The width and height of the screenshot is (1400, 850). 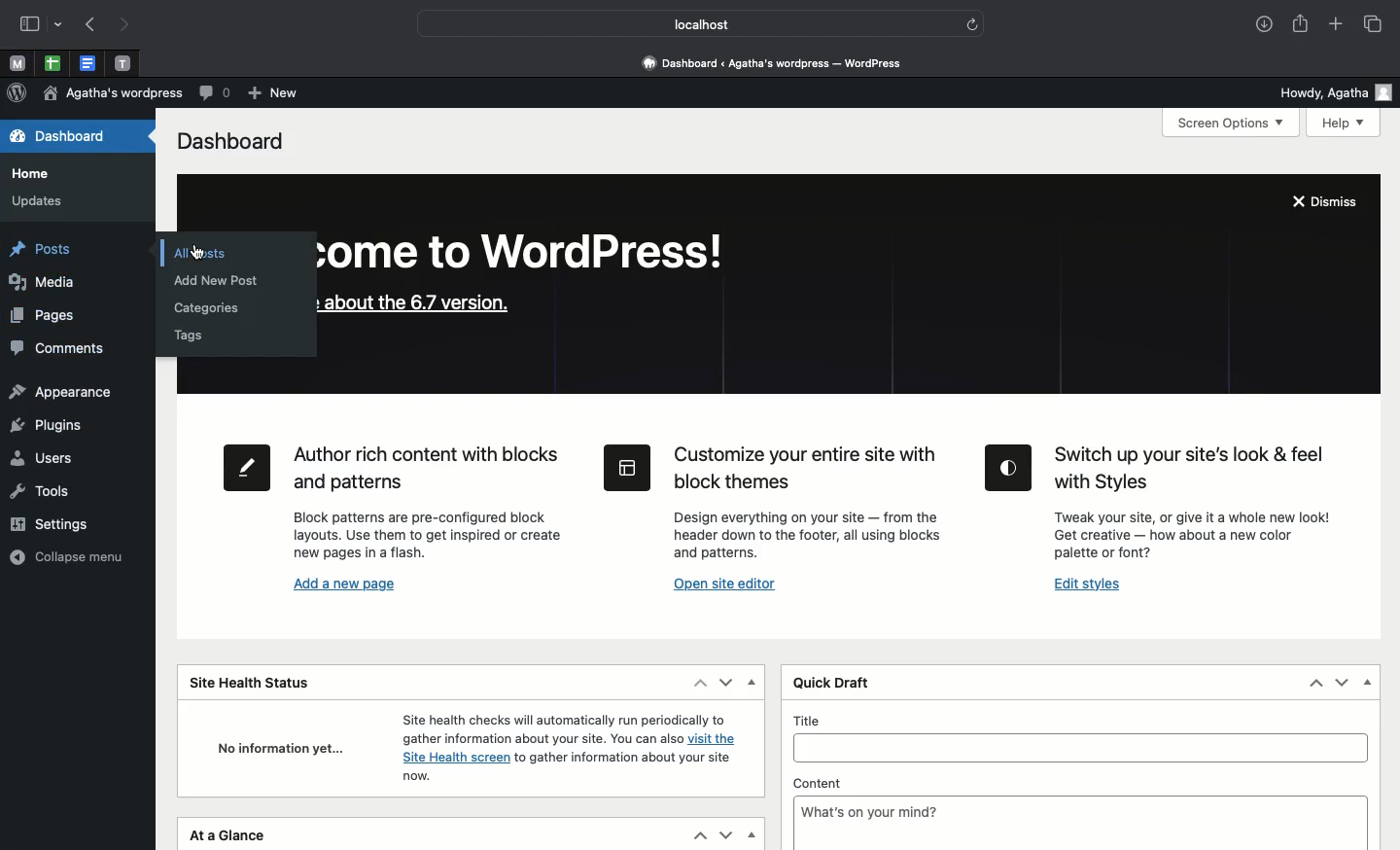 I want to click on Document, so click(x=87, y=64).